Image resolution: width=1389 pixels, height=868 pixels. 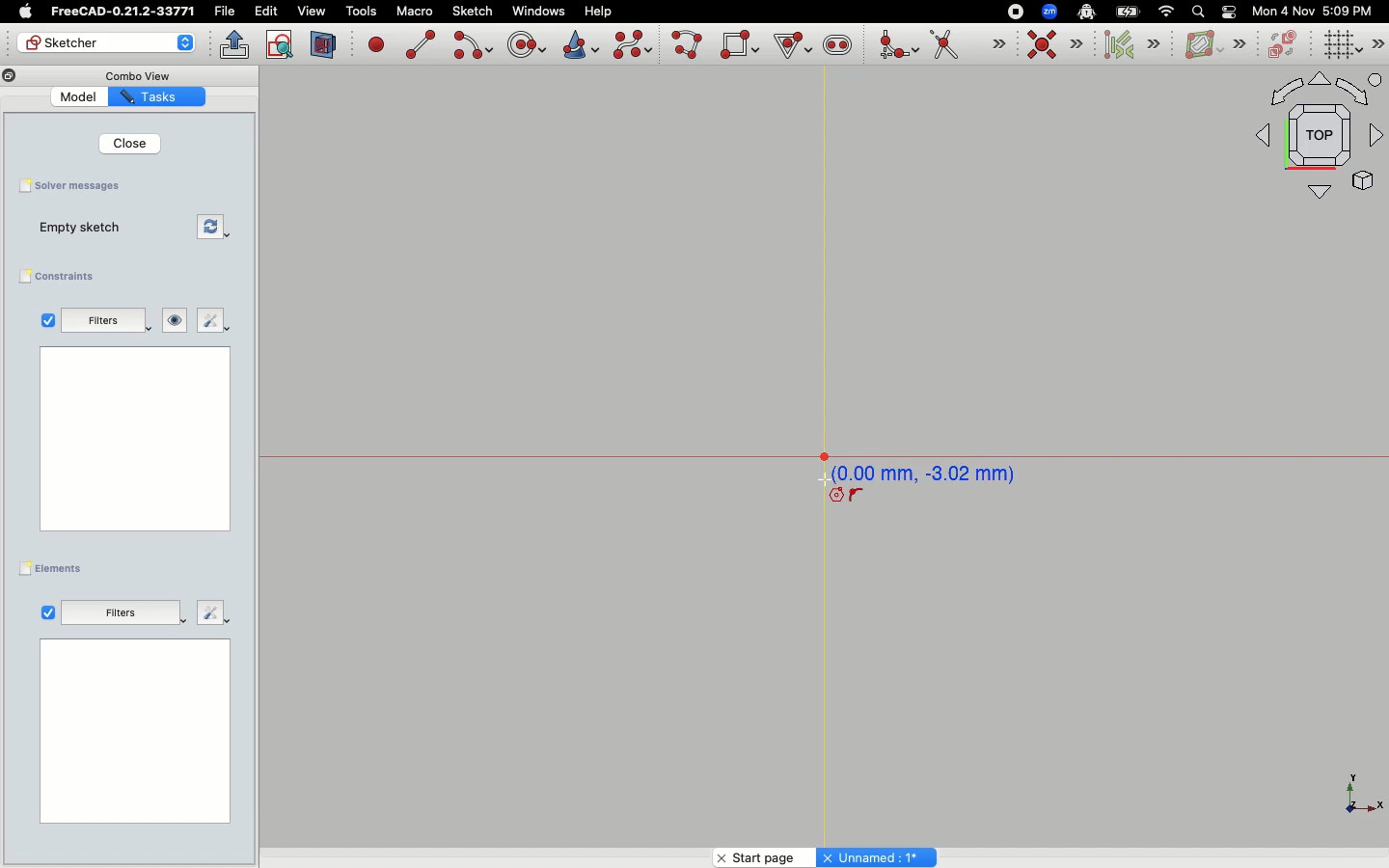 What do you see at coordinates (1350, 795) in the screenshot?
I see `X Y Z` at bounding box center [1350, 795].